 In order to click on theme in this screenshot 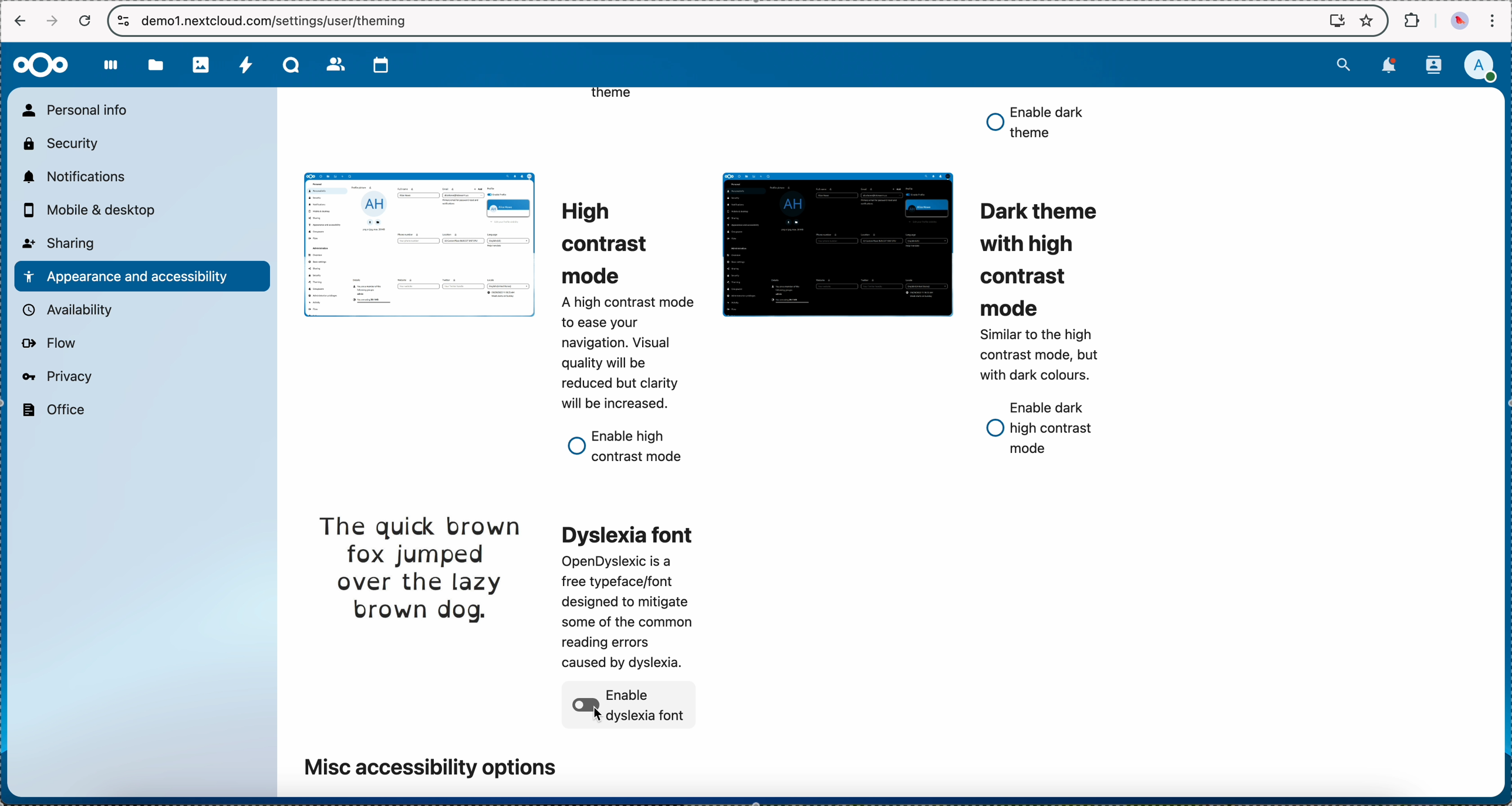, I will do `click(612, 99)`.